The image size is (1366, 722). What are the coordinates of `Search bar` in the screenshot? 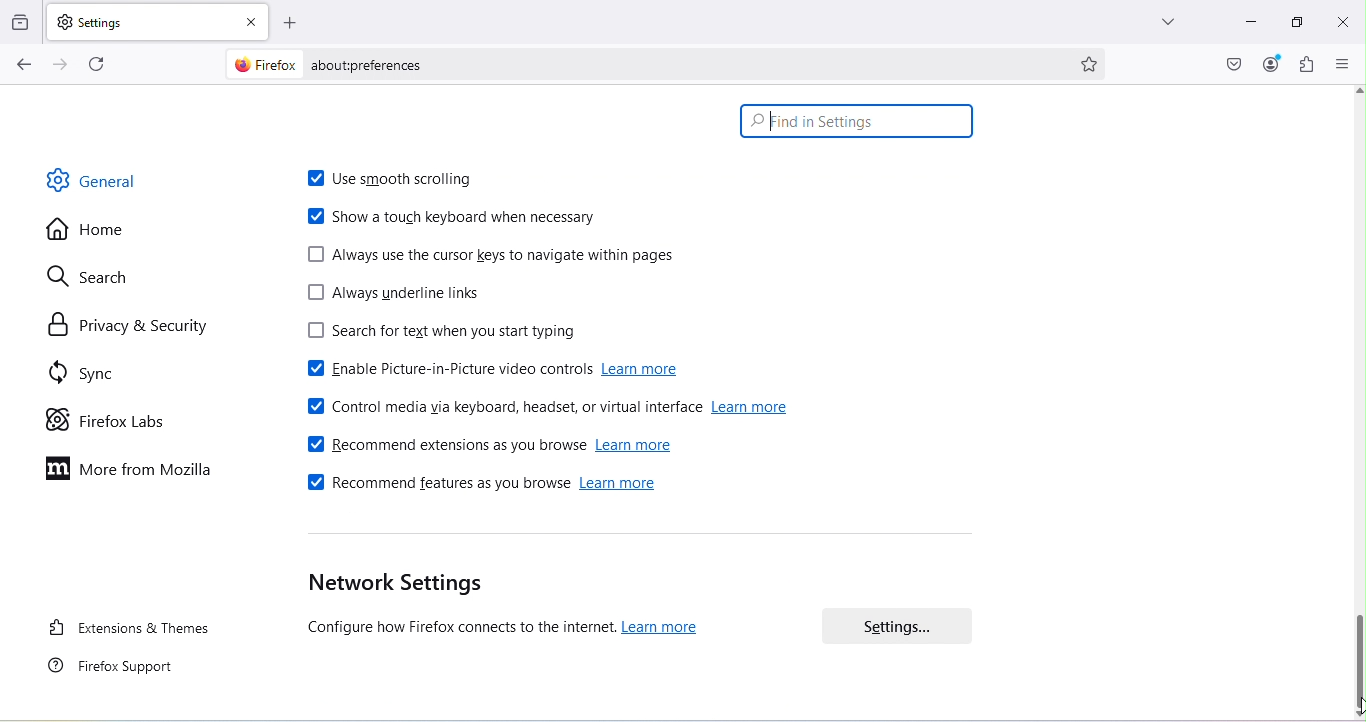 It's located at (857, 122).